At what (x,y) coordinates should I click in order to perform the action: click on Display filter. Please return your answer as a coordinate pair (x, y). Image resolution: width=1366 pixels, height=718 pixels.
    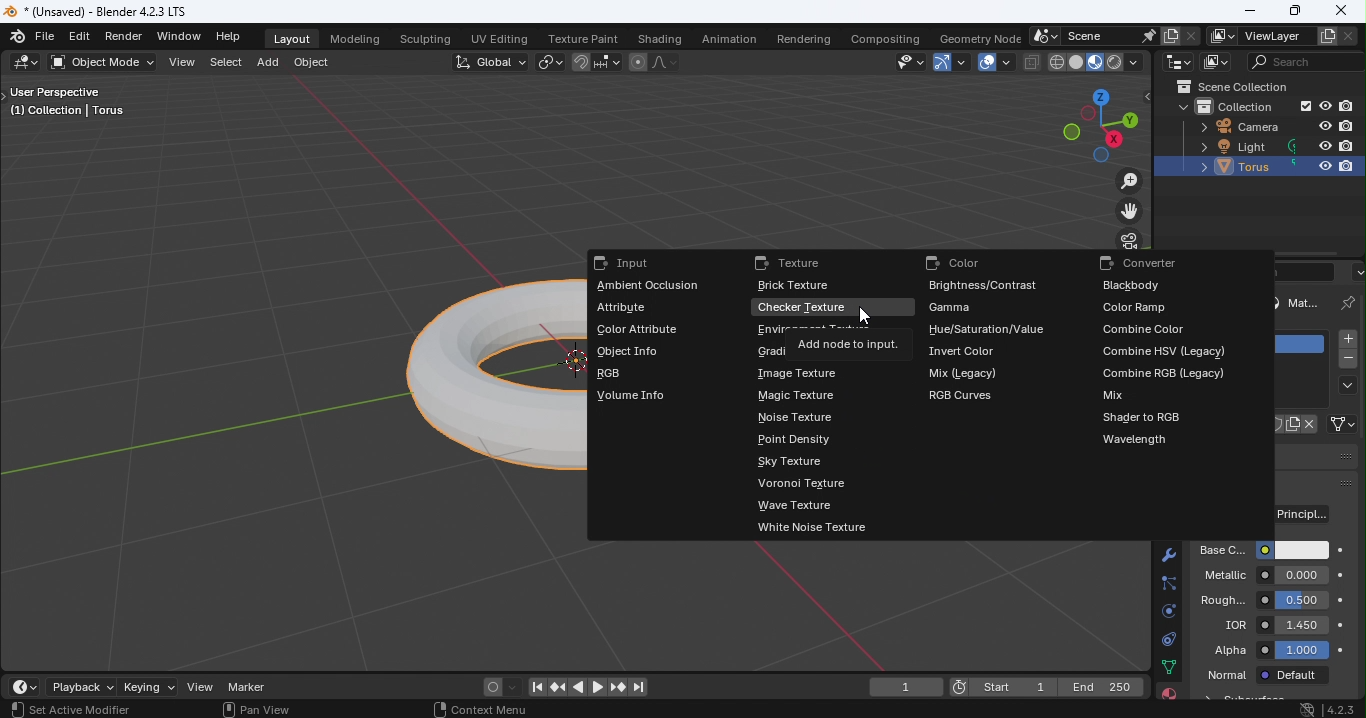
    Looking at the image, I should click on (1306, 61).